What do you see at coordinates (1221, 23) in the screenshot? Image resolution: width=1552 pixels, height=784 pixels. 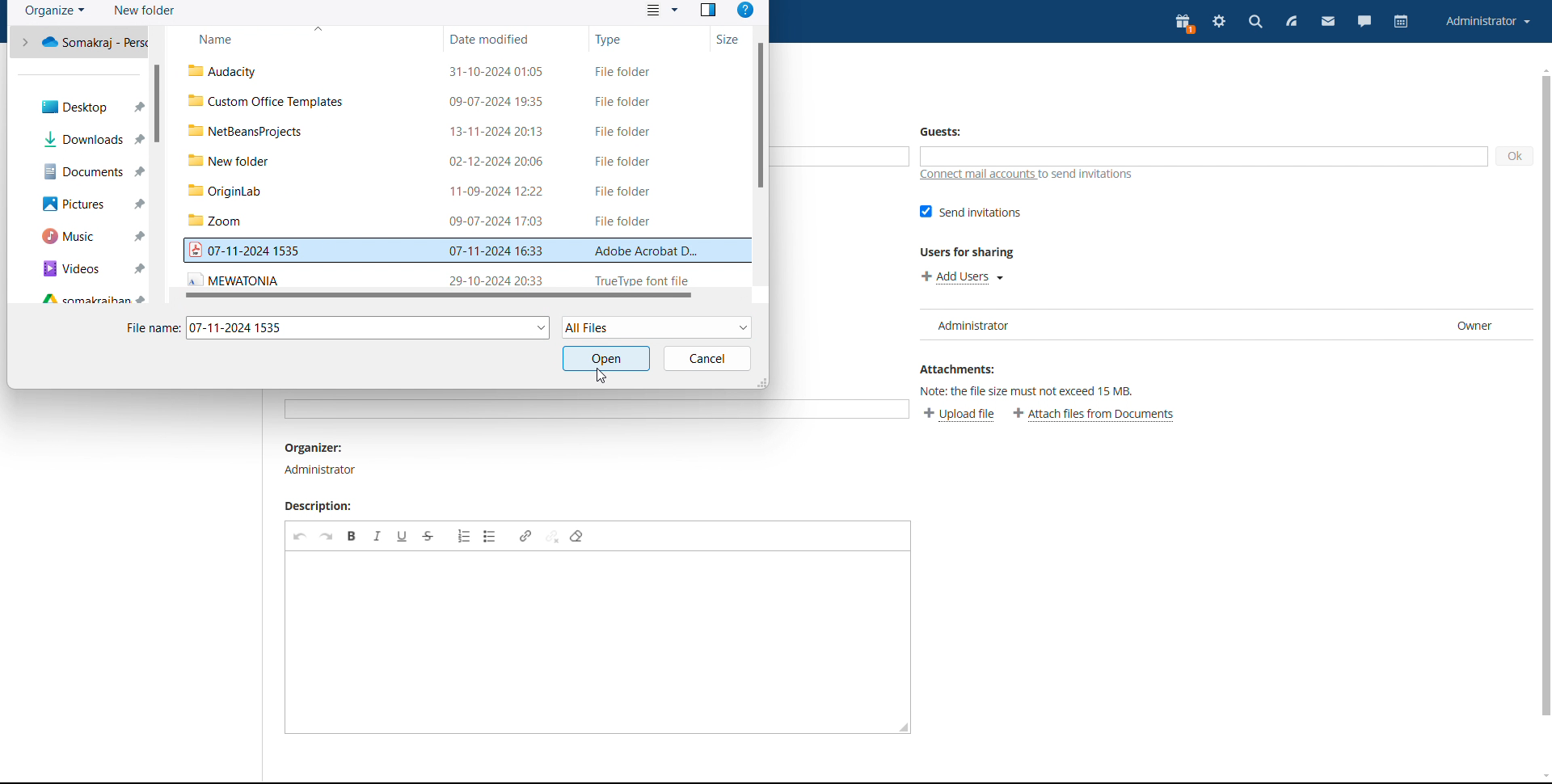 I see `settings` at bounding box center [1221, 23].